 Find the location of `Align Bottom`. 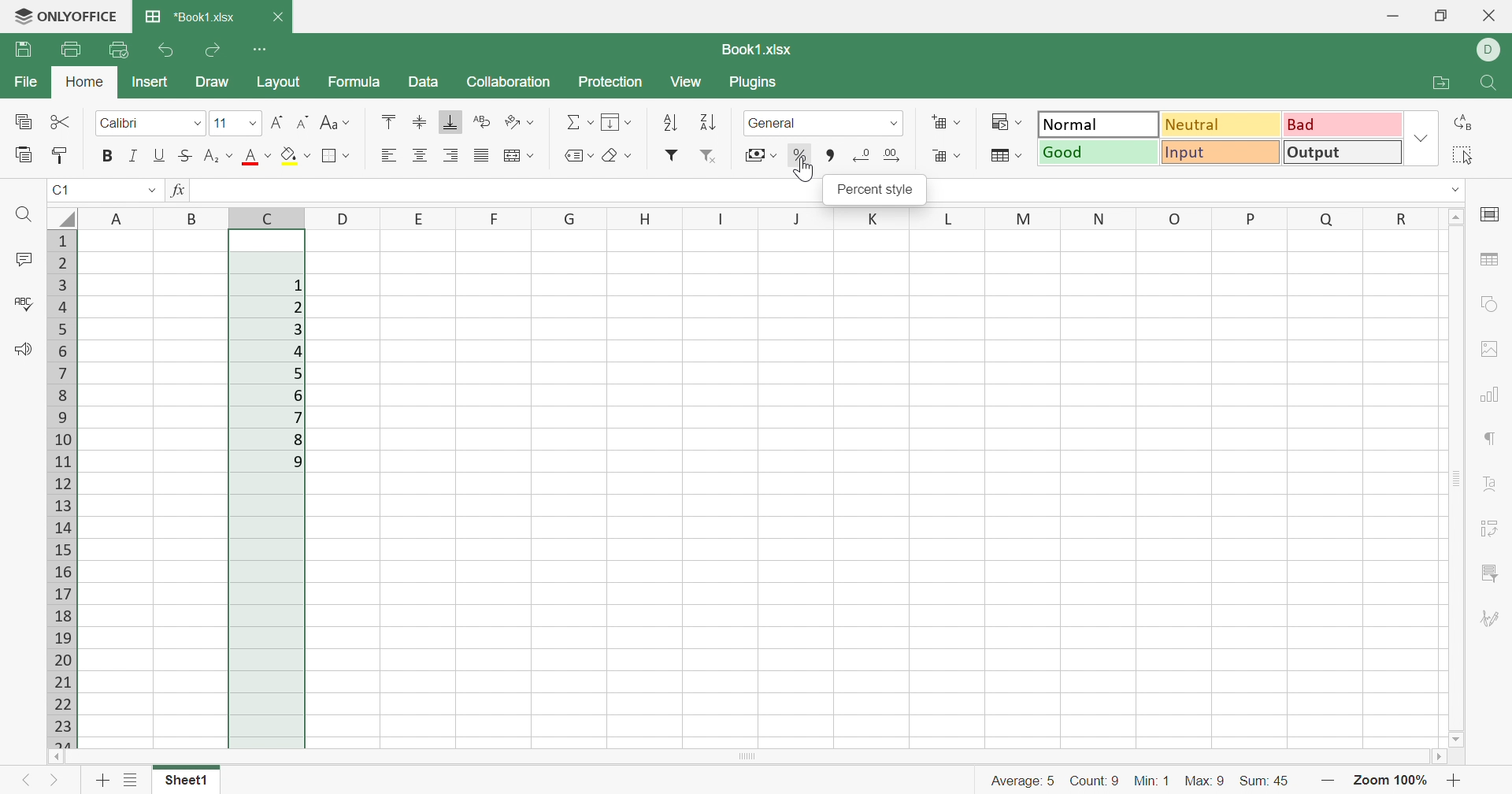

Align Bottom is located at coordinates (452, 121).